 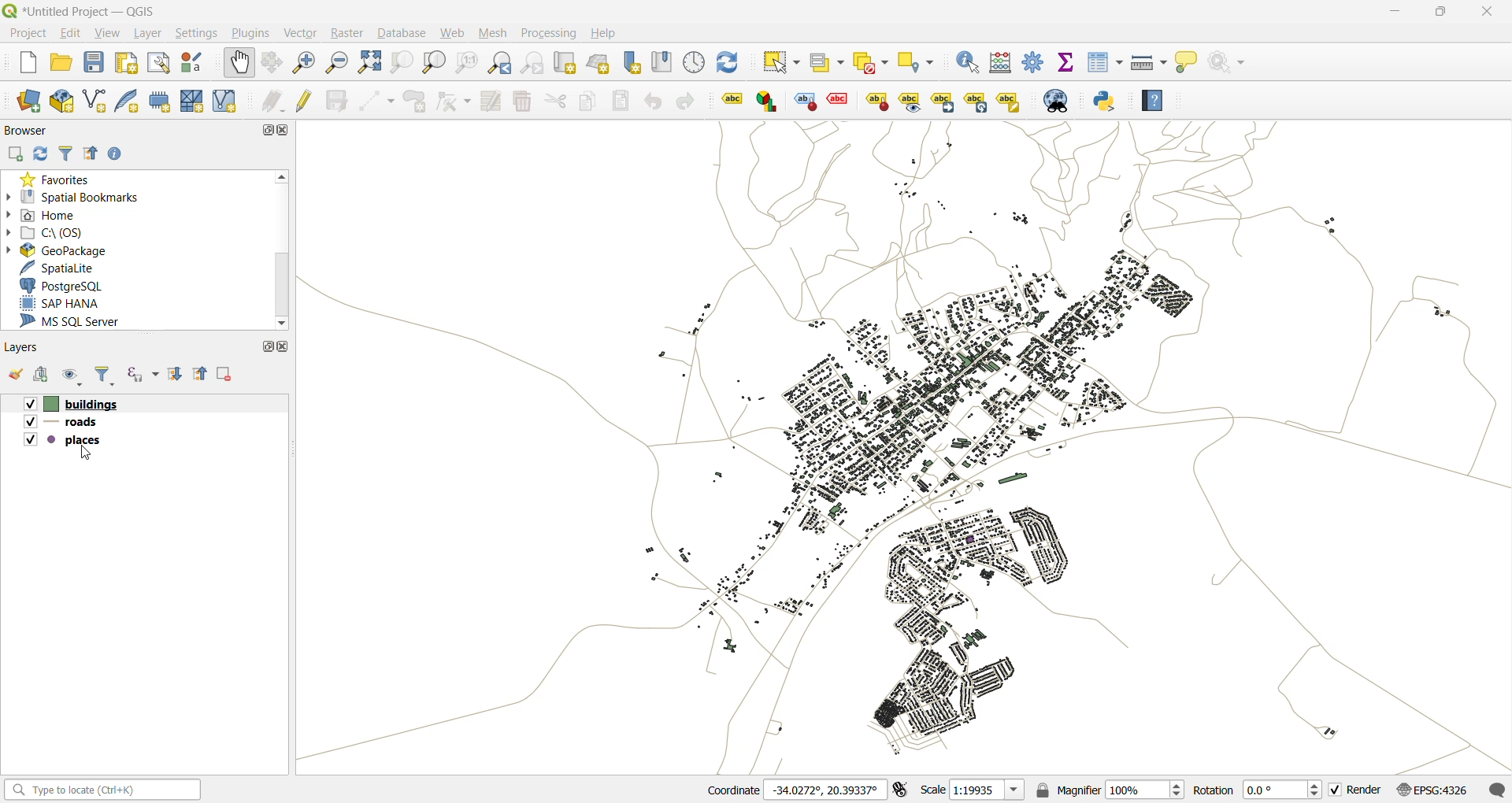 I want to click on database, so click(x=399, y=34).